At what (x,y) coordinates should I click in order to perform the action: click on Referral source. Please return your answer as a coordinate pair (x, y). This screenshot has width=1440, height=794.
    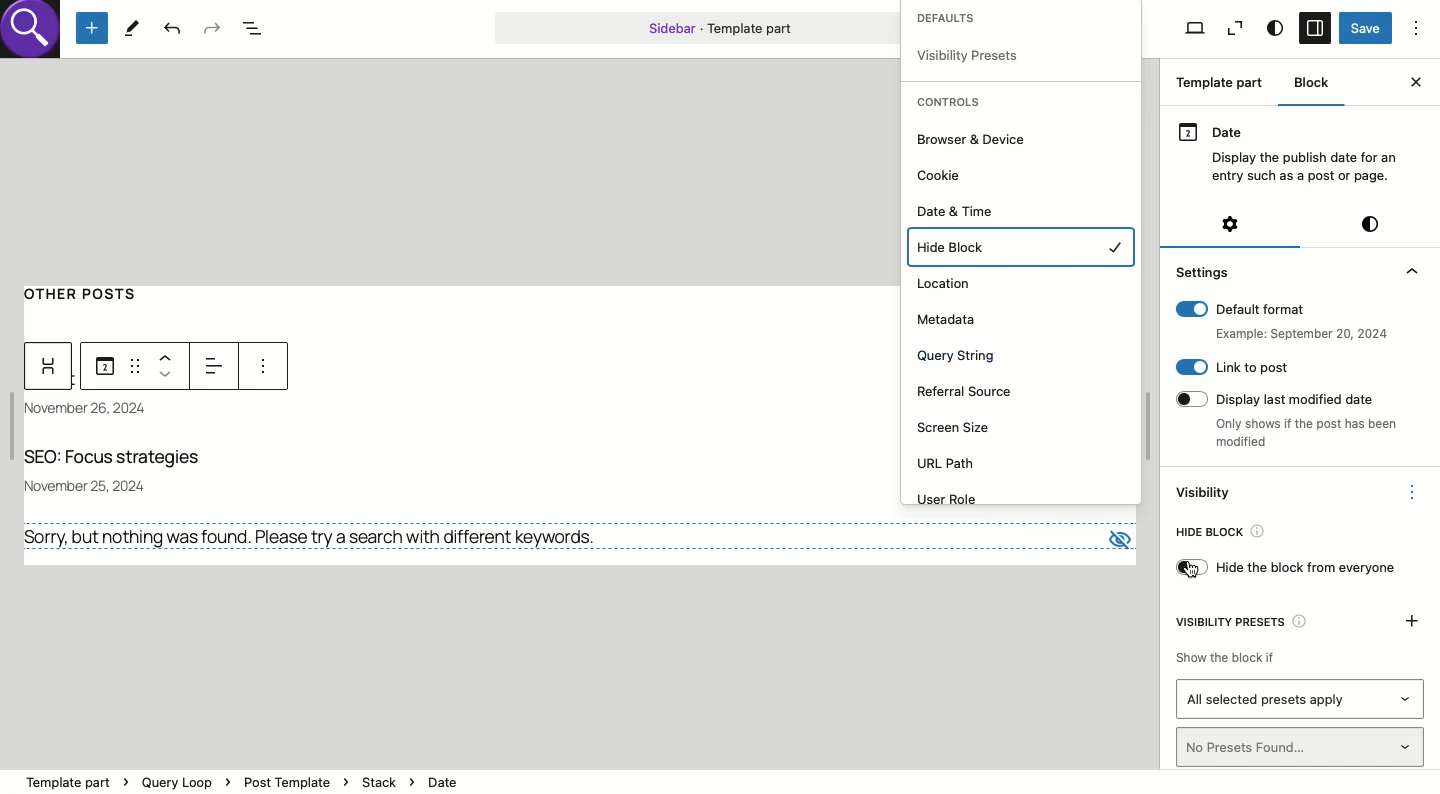
    Looking at the image, I should click on (969, 392).